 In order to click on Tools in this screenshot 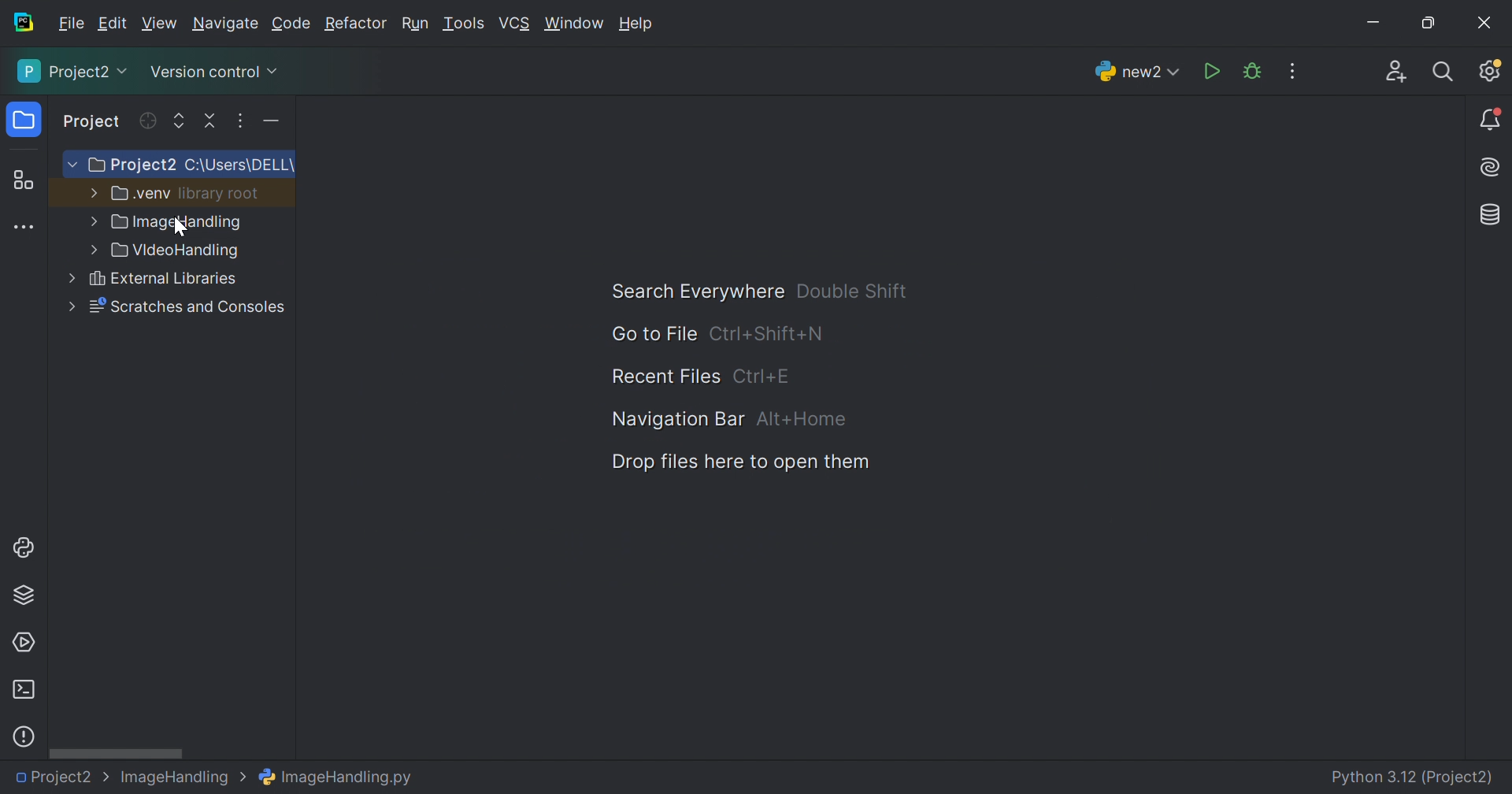, I will do `click(462, 24)`.